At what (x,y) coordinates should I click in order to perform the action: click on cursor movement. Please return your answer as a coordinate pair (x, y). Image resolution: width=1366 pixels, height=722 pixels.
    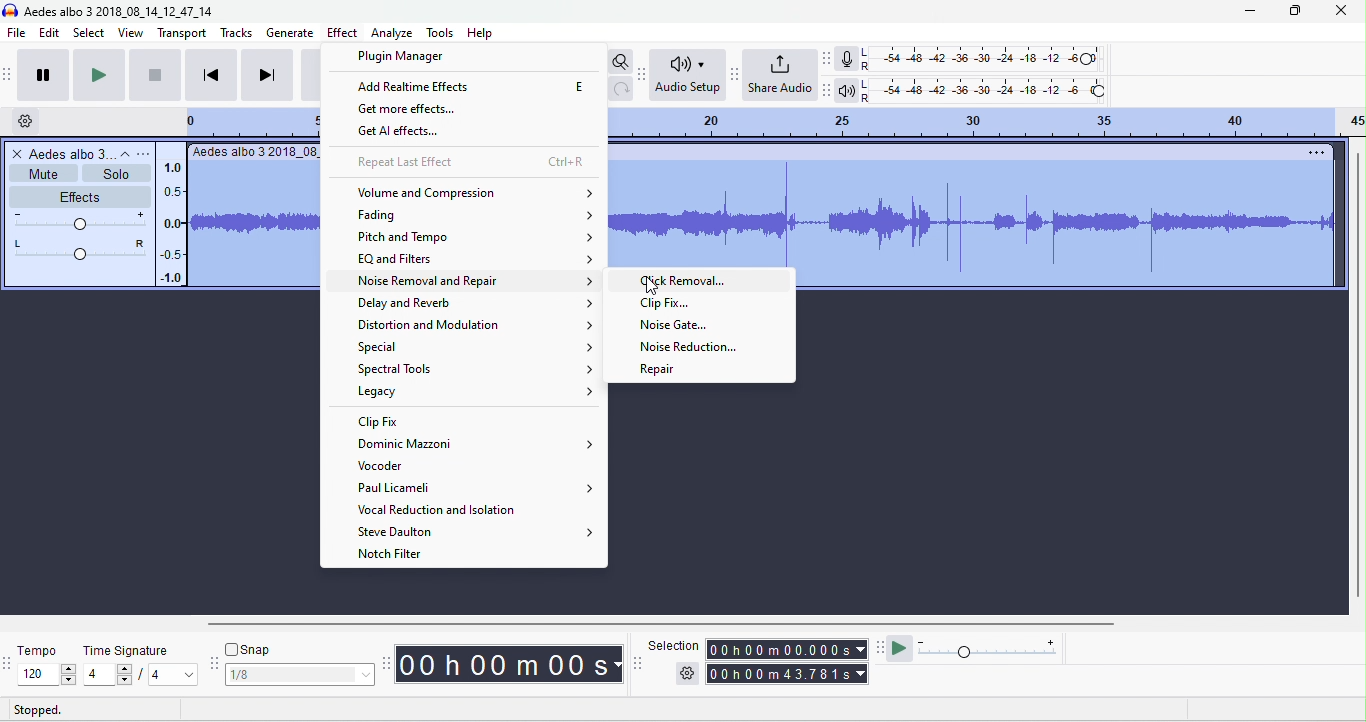
    Looking at the image, I should click on (653, 285).